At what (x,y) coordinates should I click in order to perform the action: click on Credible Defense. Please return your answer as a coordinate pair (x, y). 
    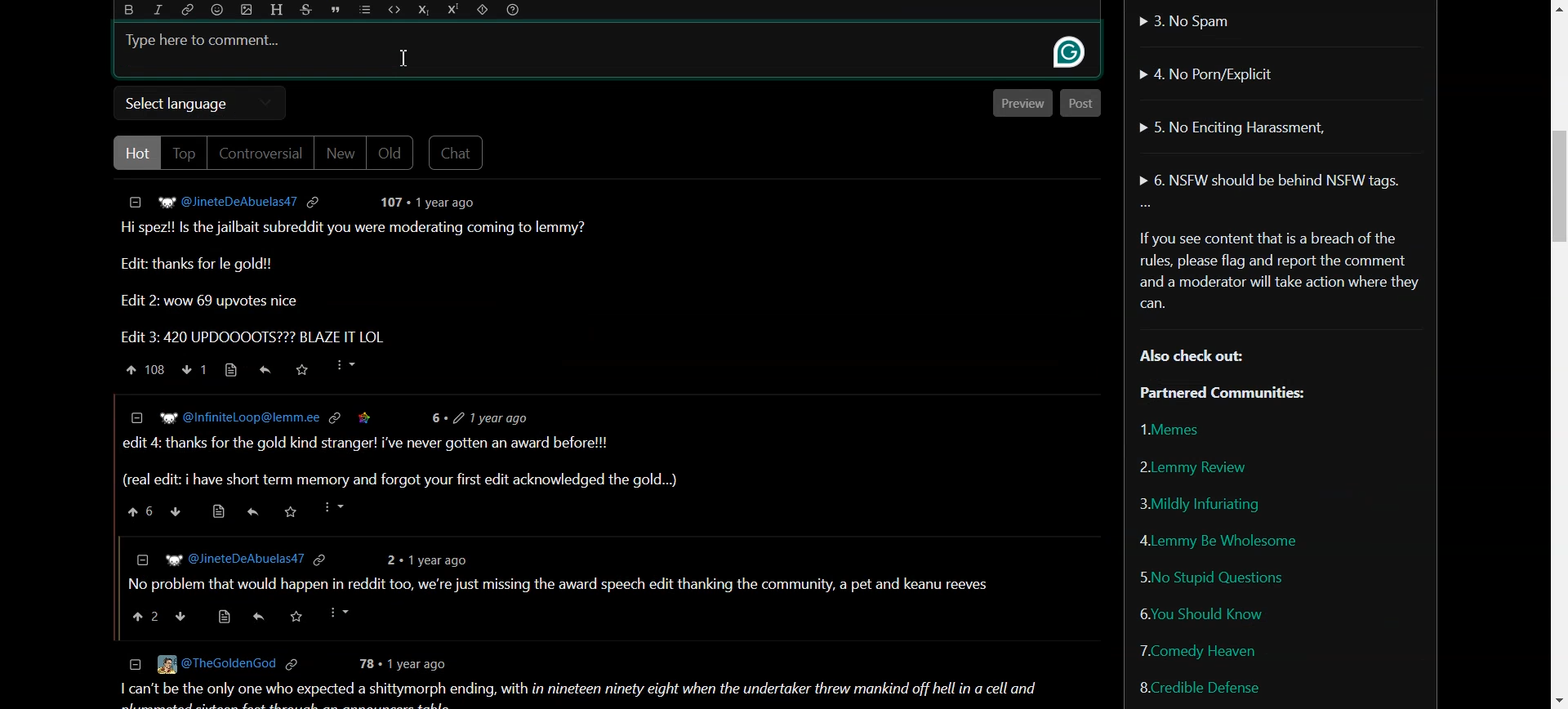
    Looking at the image, I should click on (1195, 686).